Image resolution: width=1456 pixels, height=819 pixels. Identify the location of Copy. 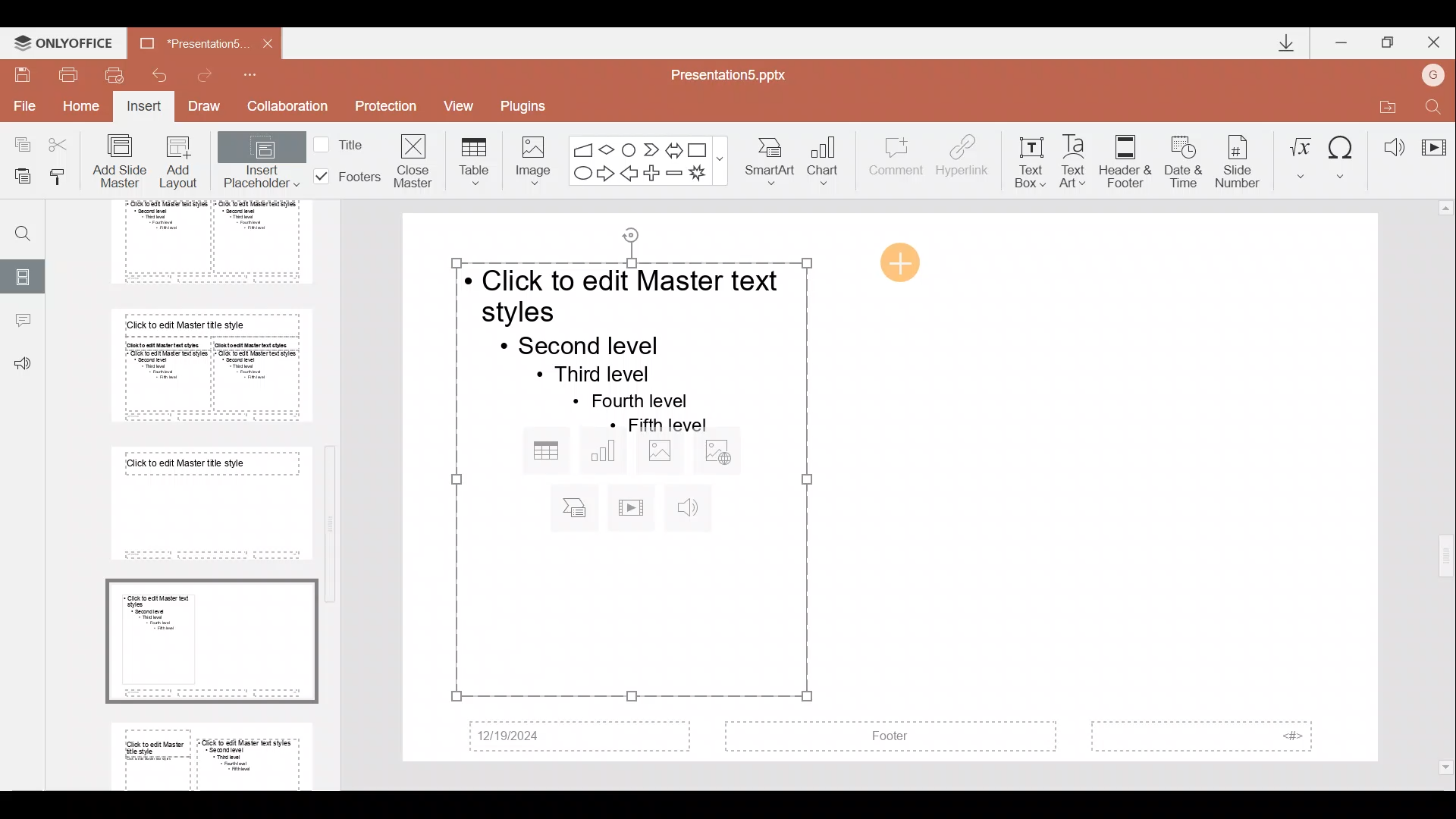
(17, 144).